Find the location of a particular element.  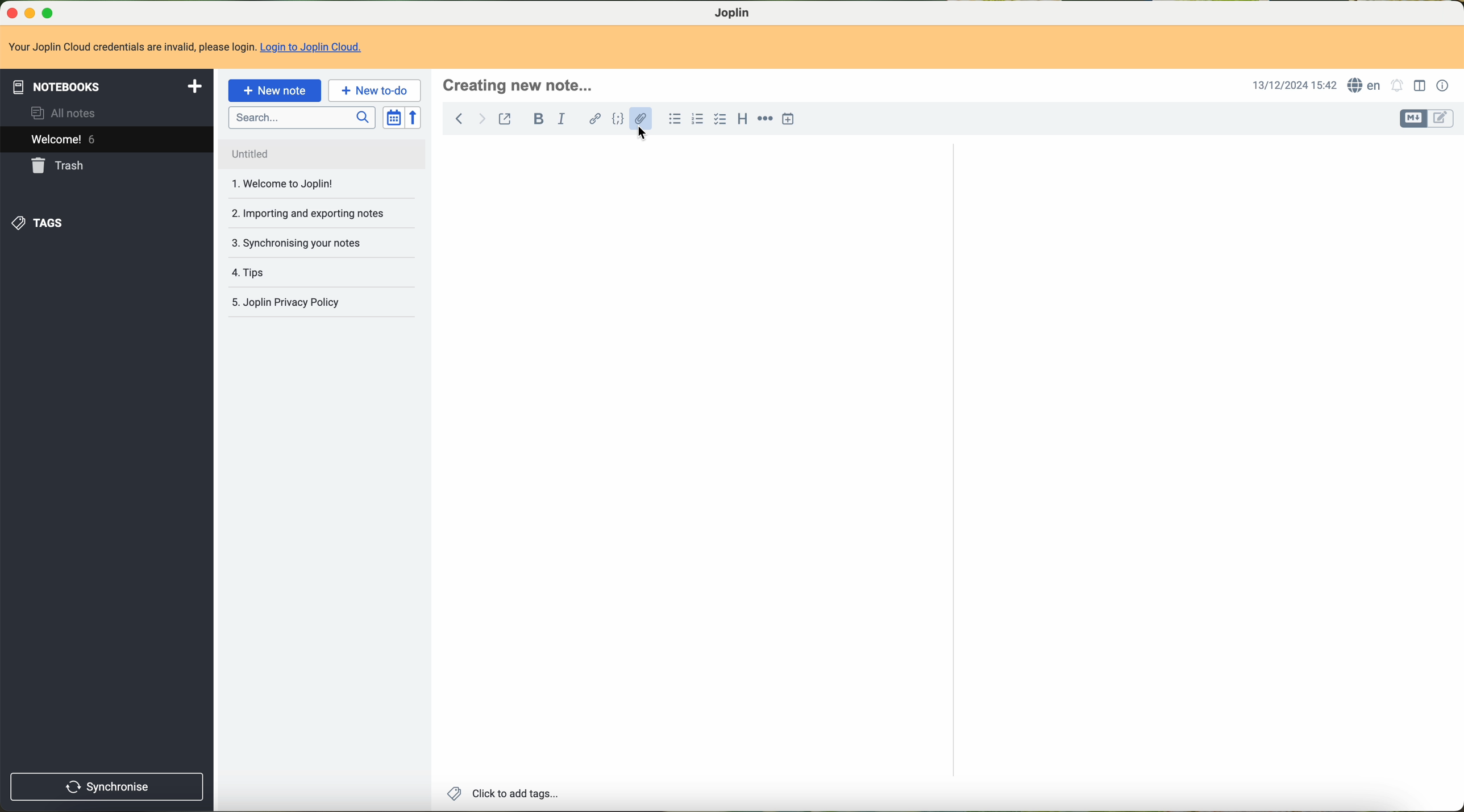

synchronise is located at coordinates (106, 788).